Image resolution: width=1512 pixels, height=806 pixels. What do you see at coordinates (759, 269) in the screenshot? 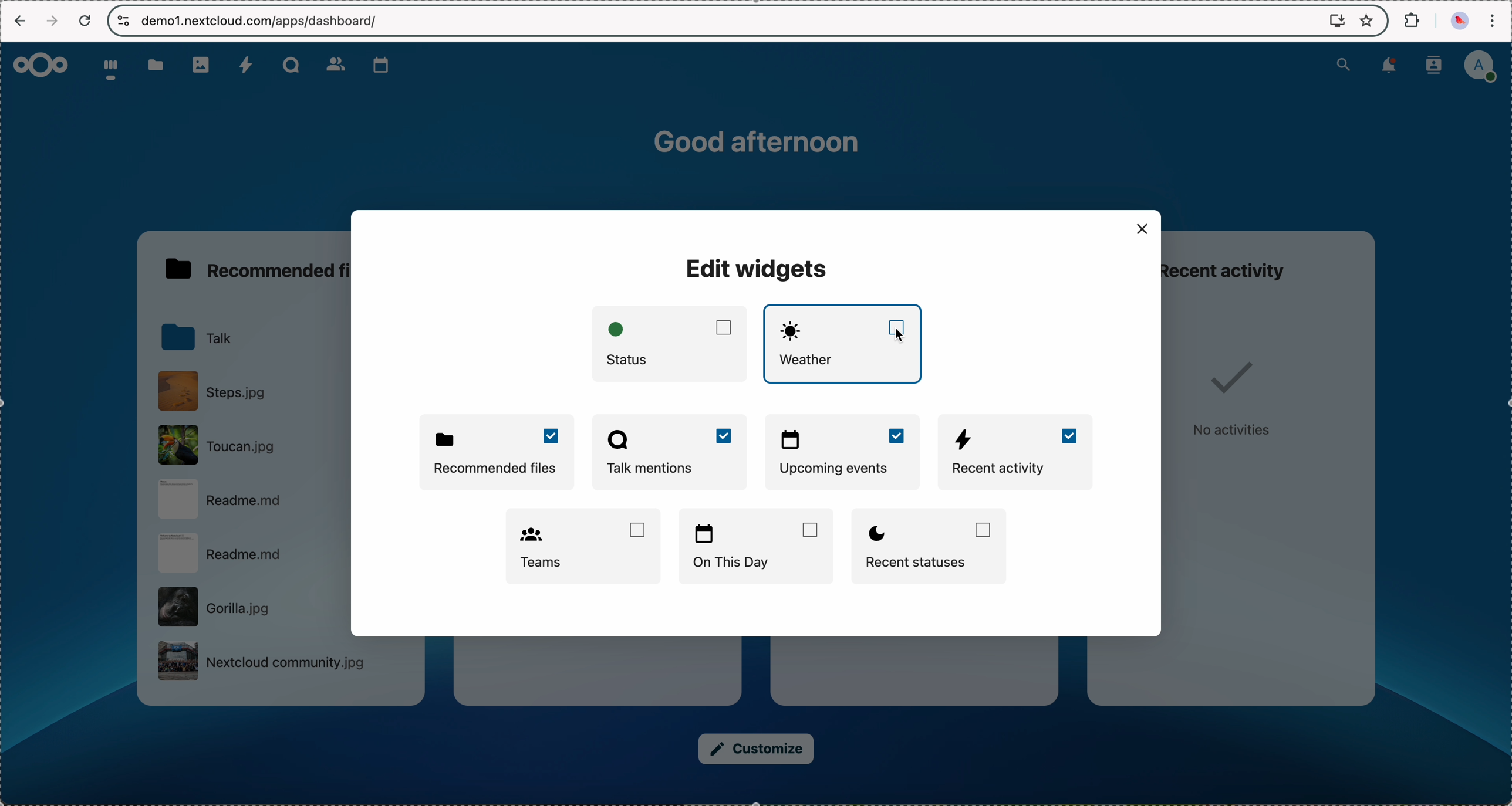
I see `edit widgets` at bounding box center [759, 269].